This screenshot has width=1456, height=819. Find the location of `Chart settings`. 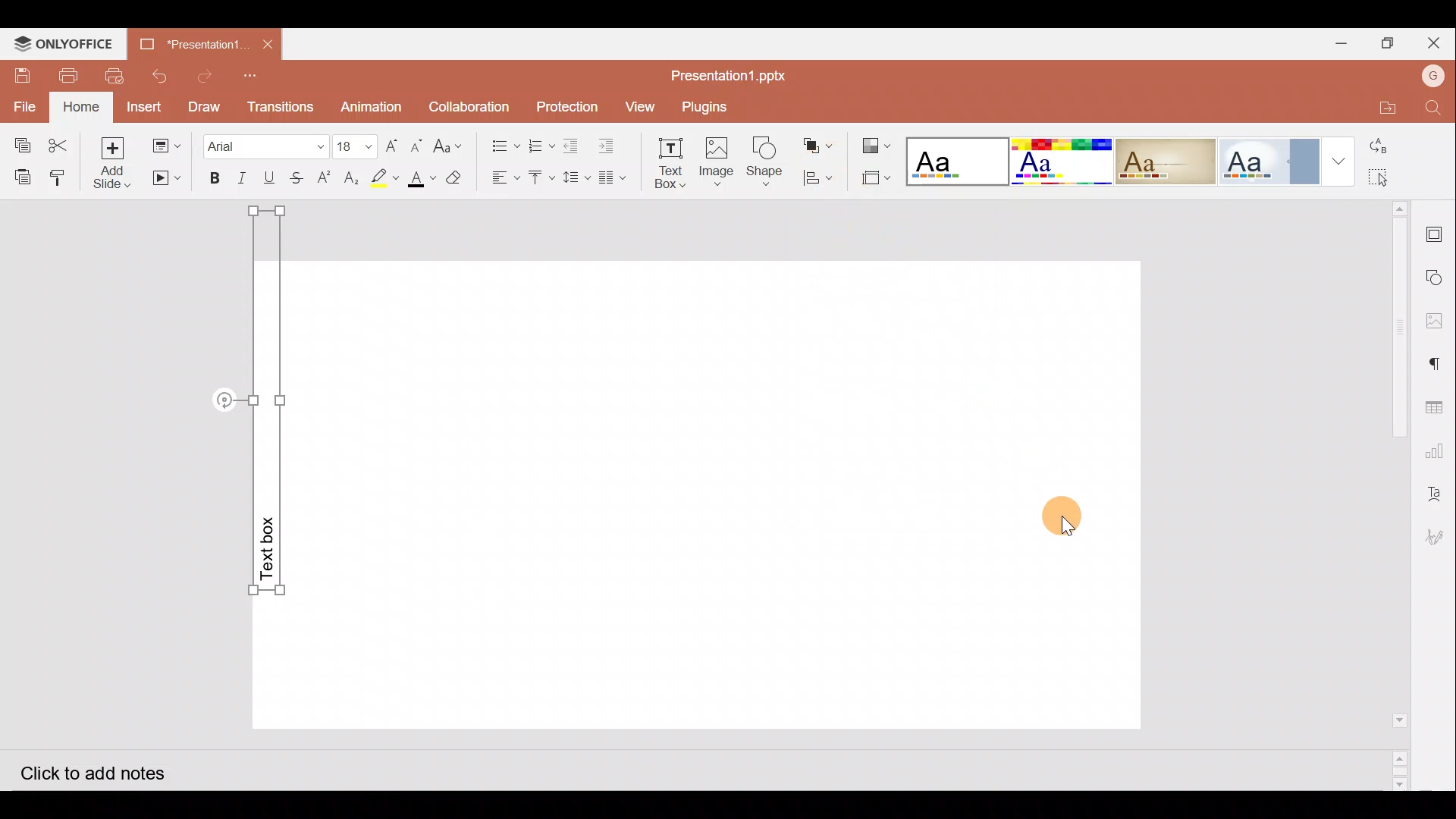

Chart settings is located at coordinates (1438, 451).